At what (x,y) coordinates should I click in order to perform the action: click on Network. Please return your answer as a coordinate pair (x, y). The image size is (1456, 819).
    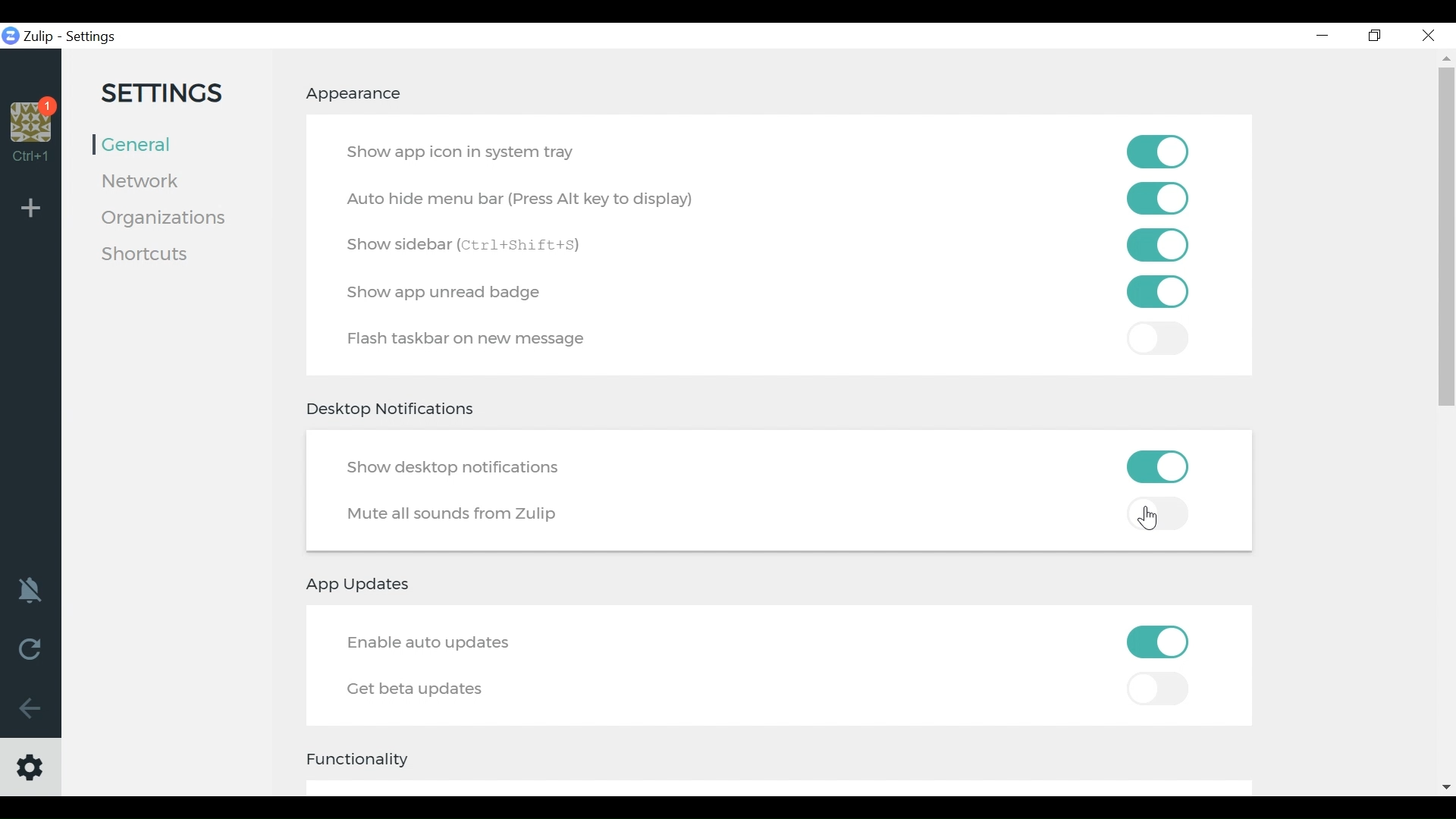
    Looking at the image, I should click on (147, 180).